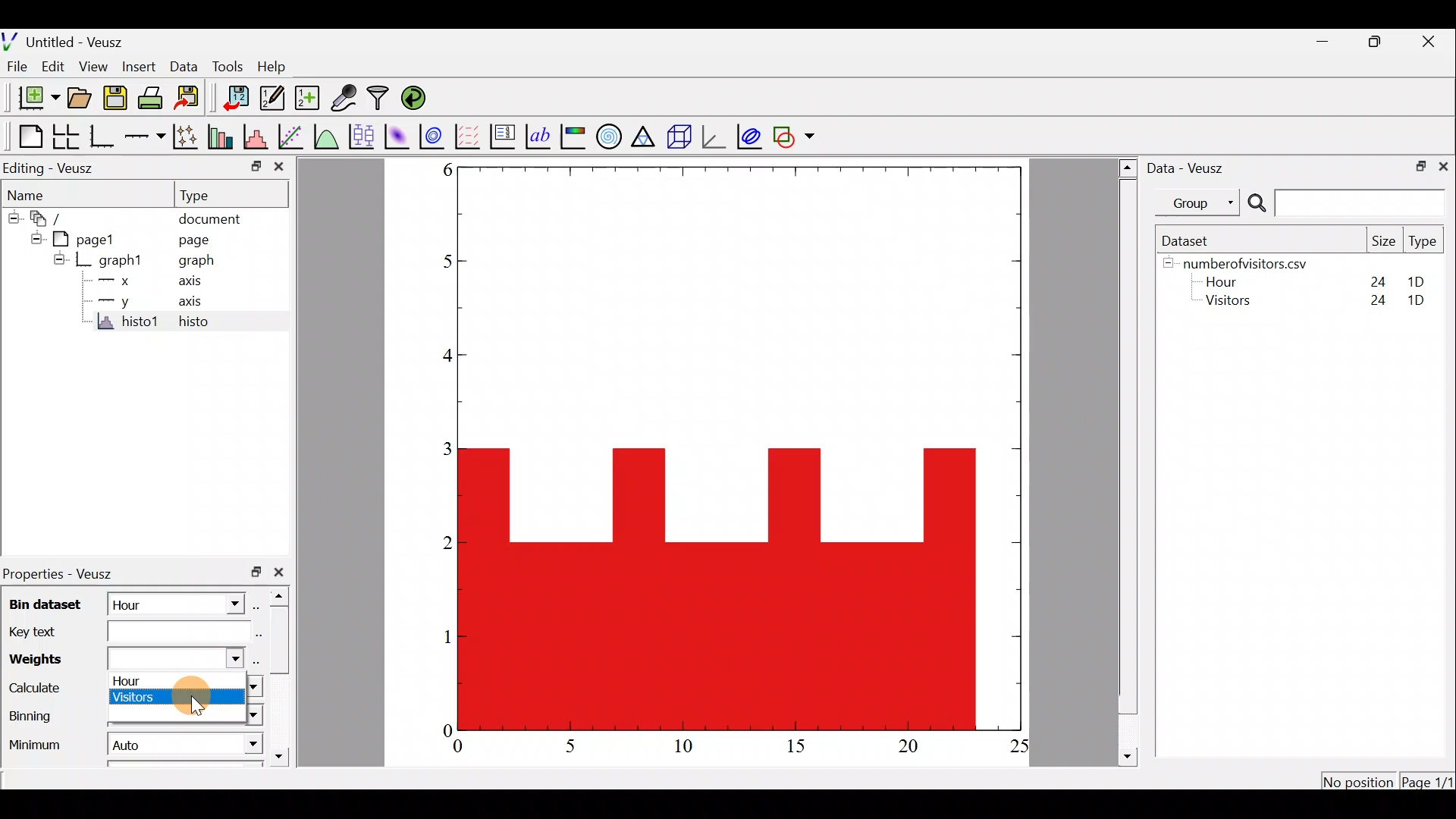  Describe the element at coordinates (309, 96) in the screenshot. I see `create new datasets using ranges, parametrically or as functions of existing dataset.` at that location.